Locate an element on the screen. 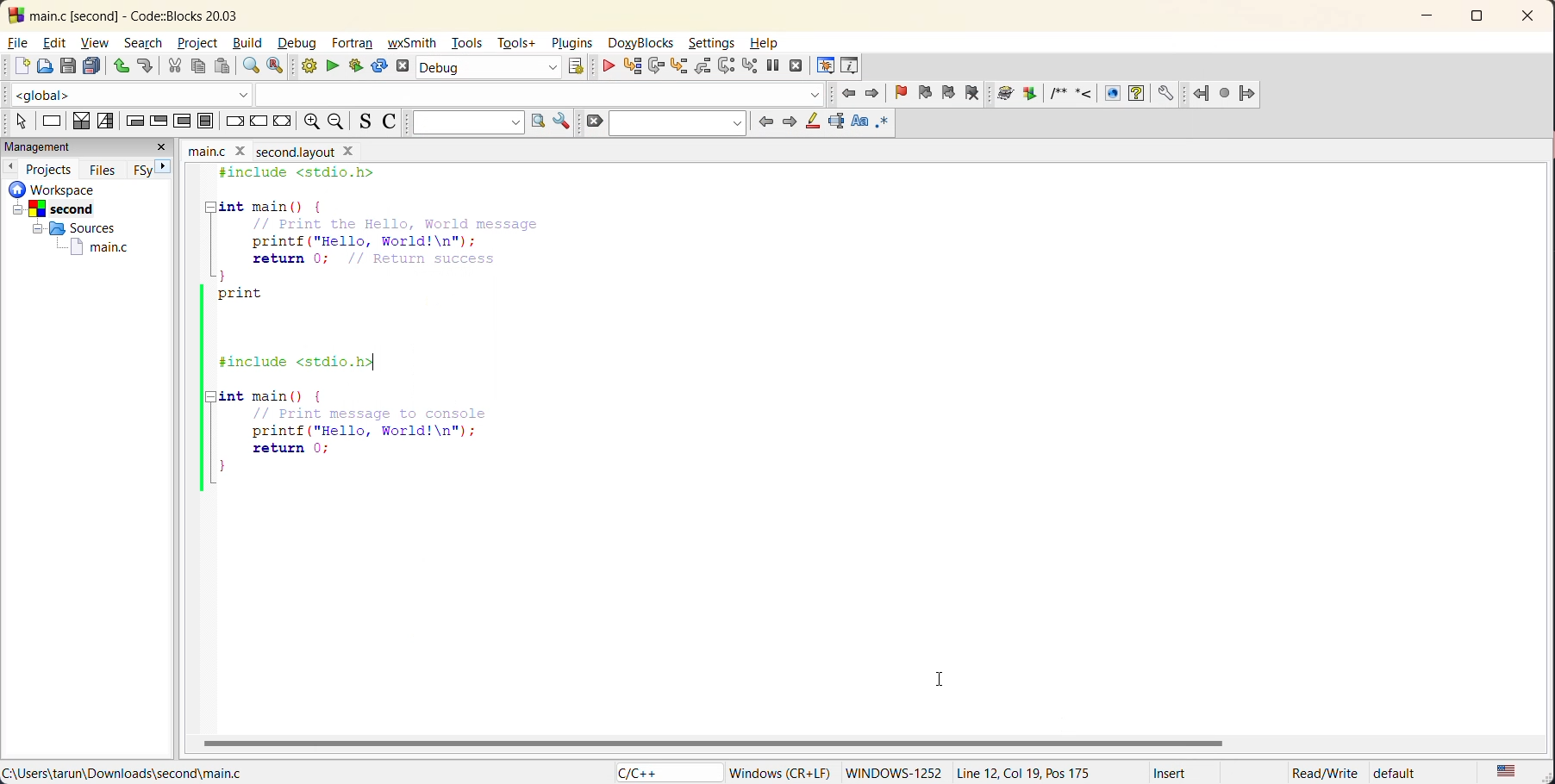  toggle bookmark is located at coordinates (897, 92).